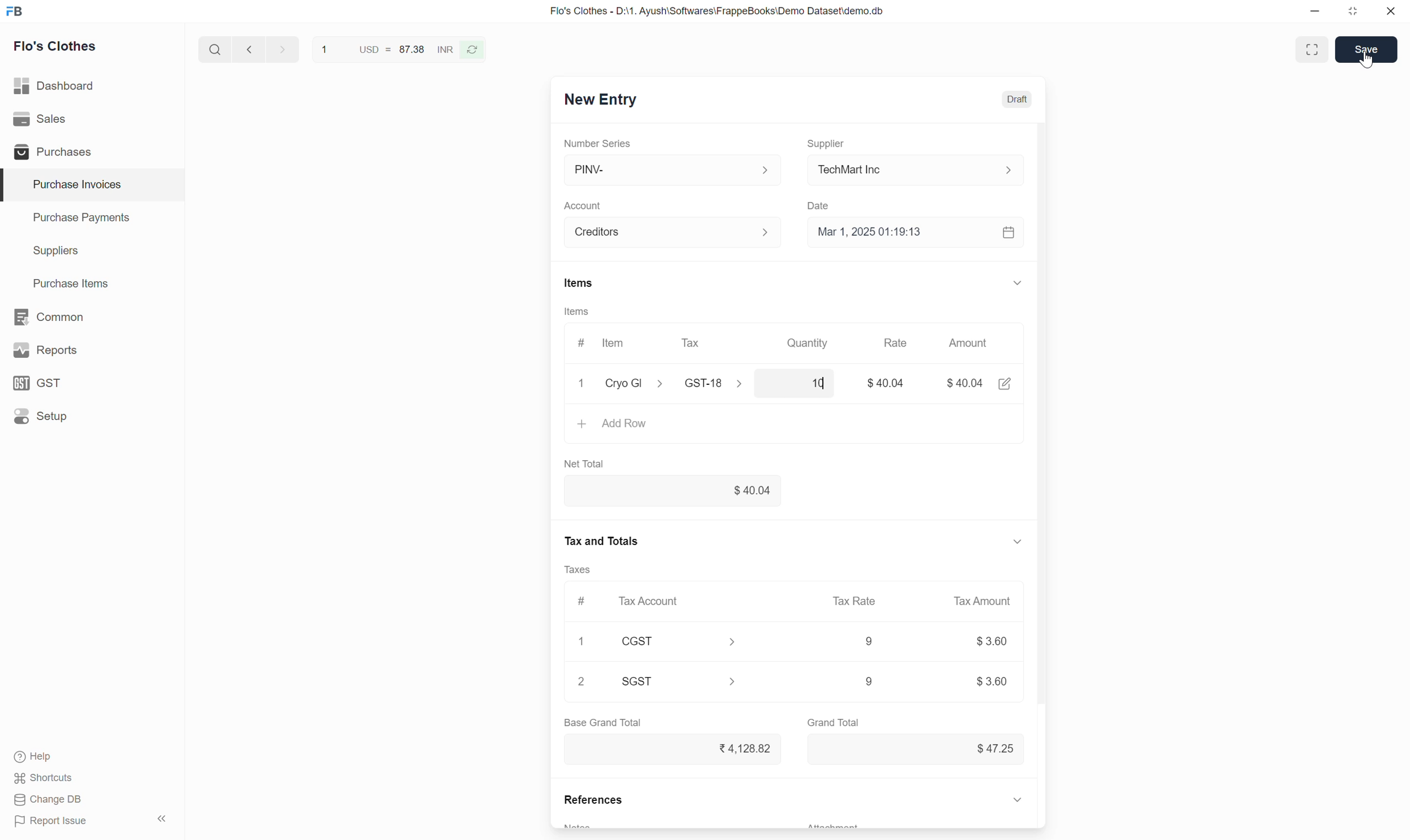 The image size is (1410, 840). Describe the element at coordinates (712, 383) in the screenshot. I see `GST-18` at that location.